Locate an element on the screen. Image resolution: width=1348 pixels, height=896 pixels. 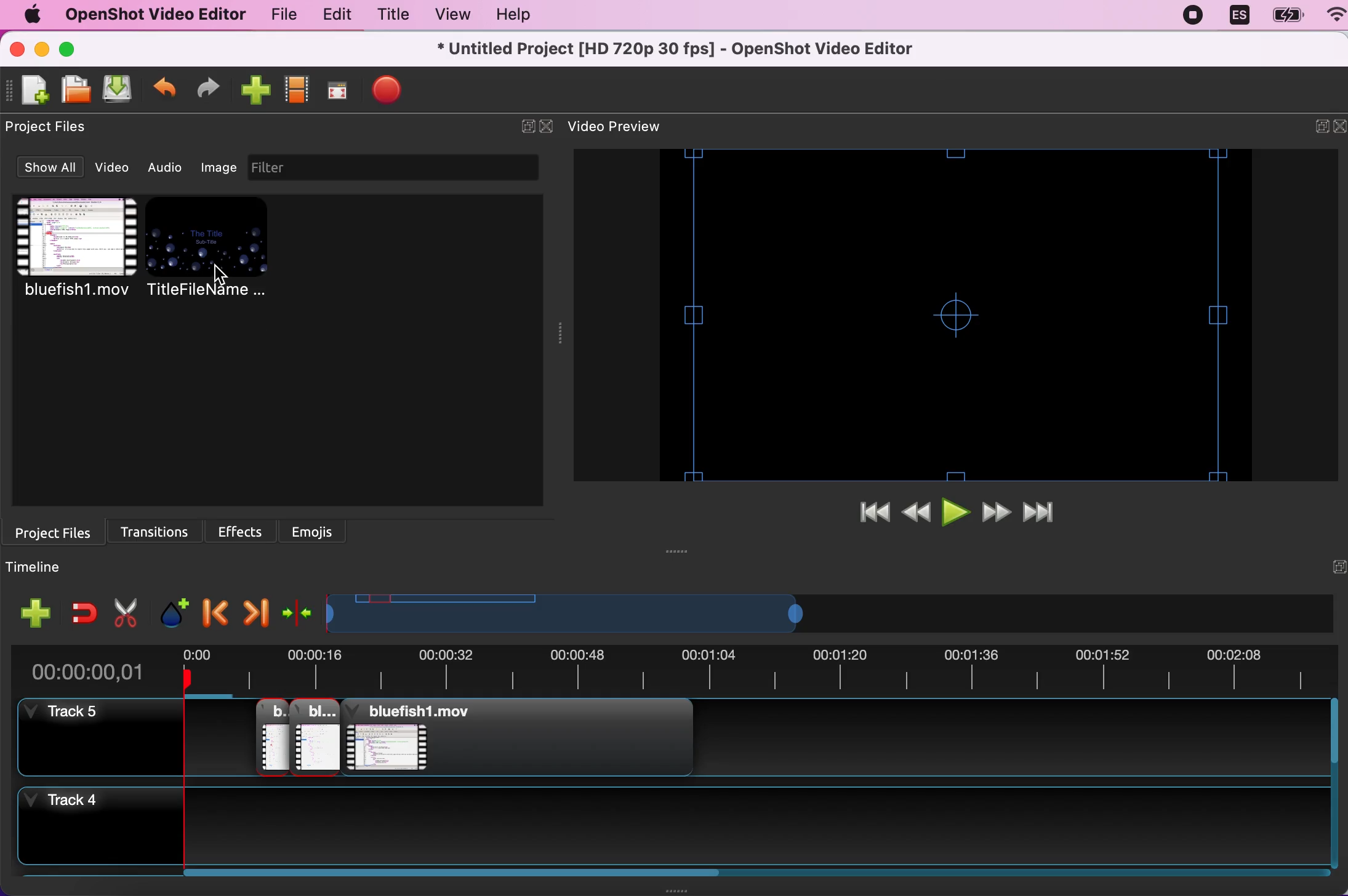
project files is located at coordinates (54, 127).